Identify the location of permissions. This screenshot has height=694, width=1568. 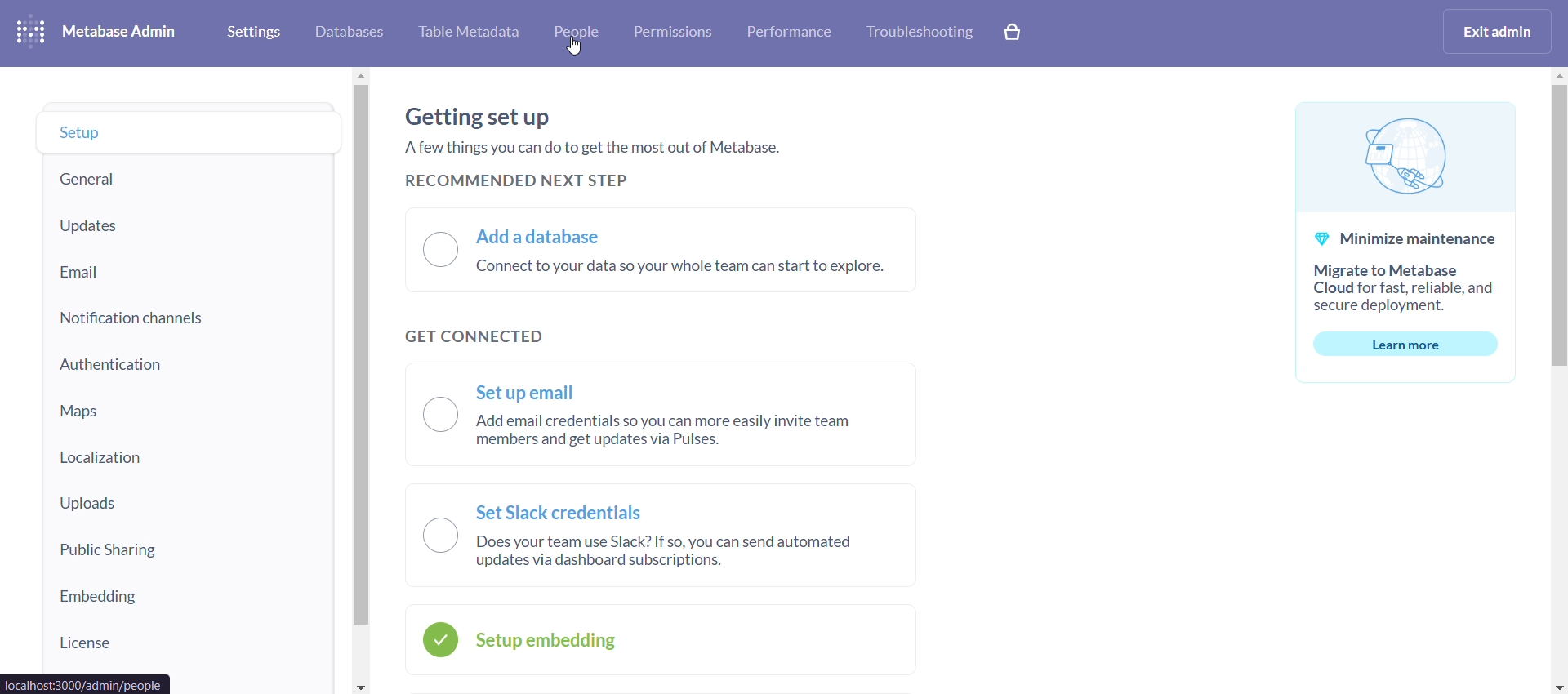
(673, 33).